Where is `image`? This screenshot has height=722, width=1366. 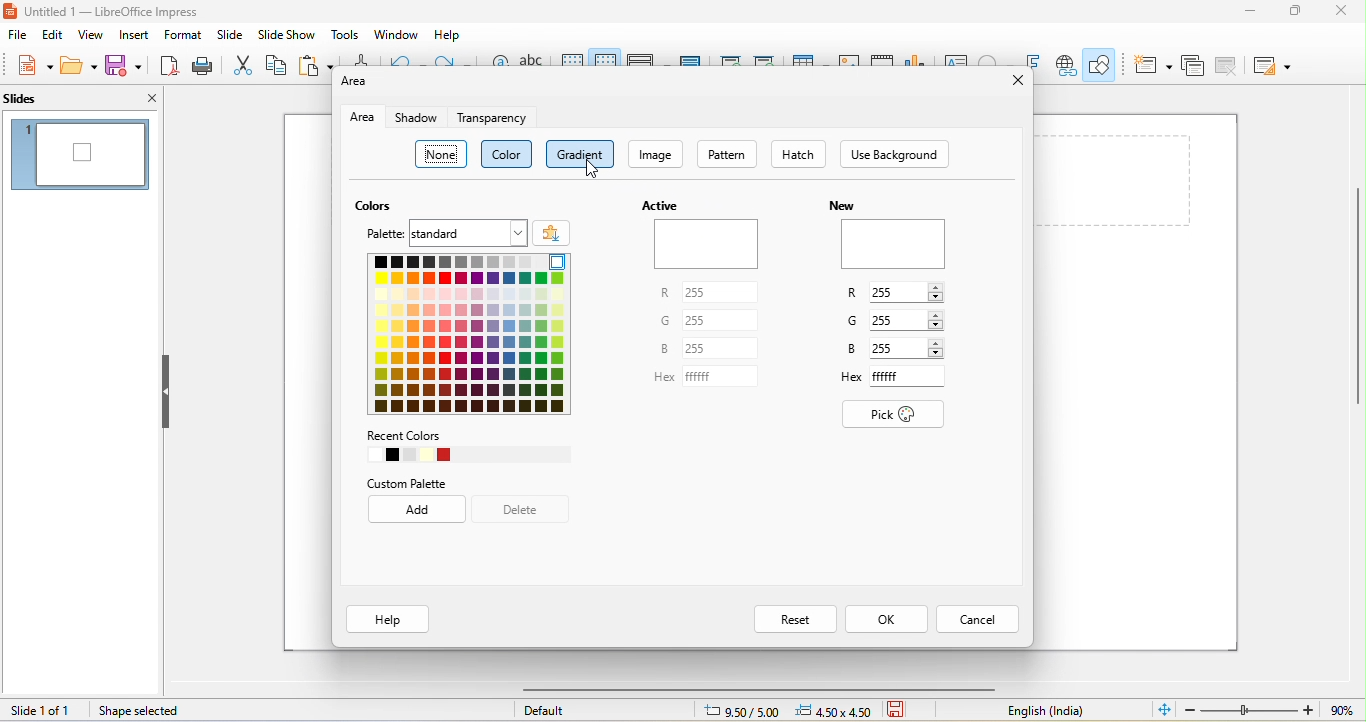
image is located at coordinates (656, 155).